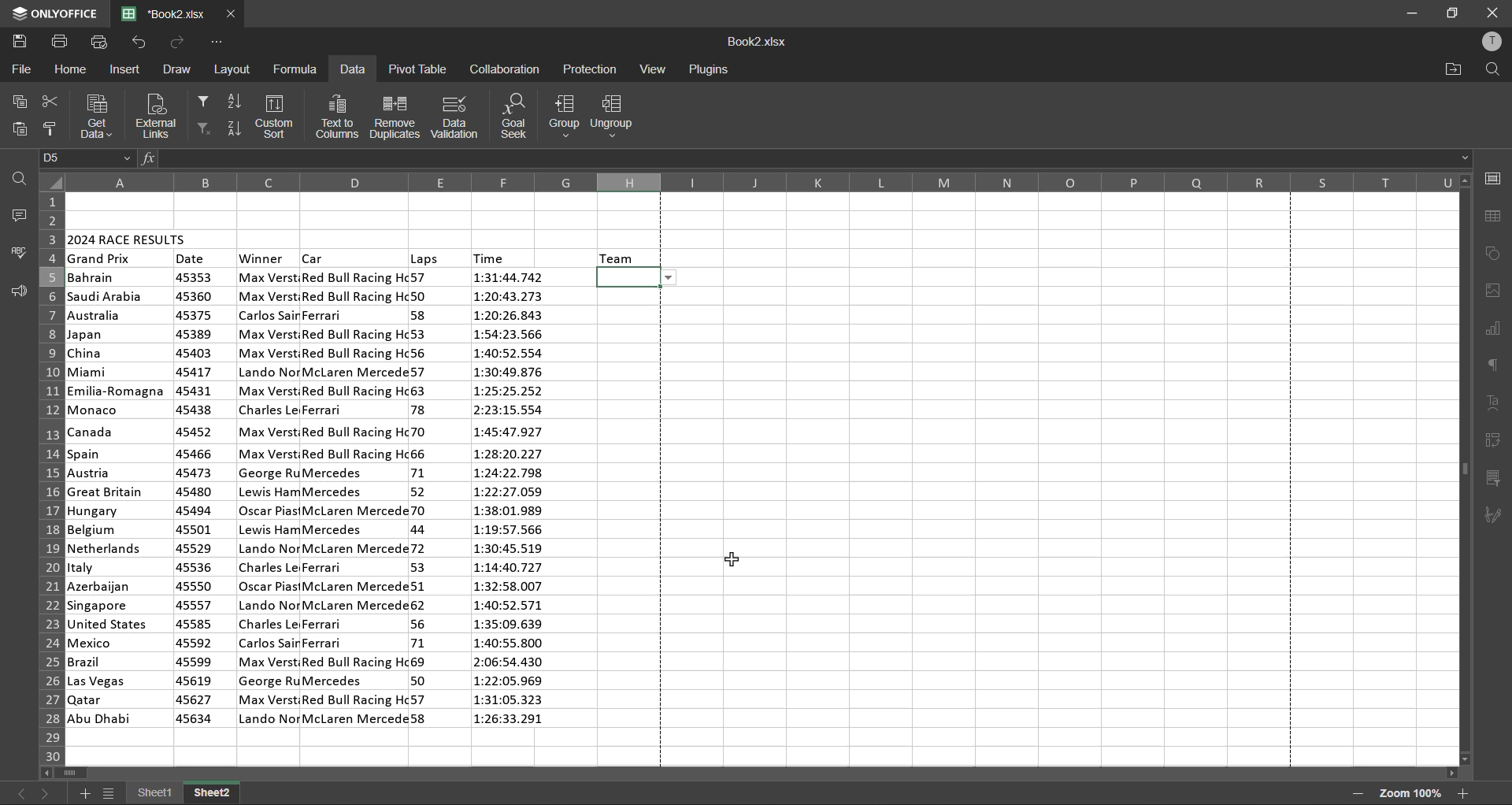  Describe the element at coordinates (762, 182) in the screenshot. I see `column names` at that location.